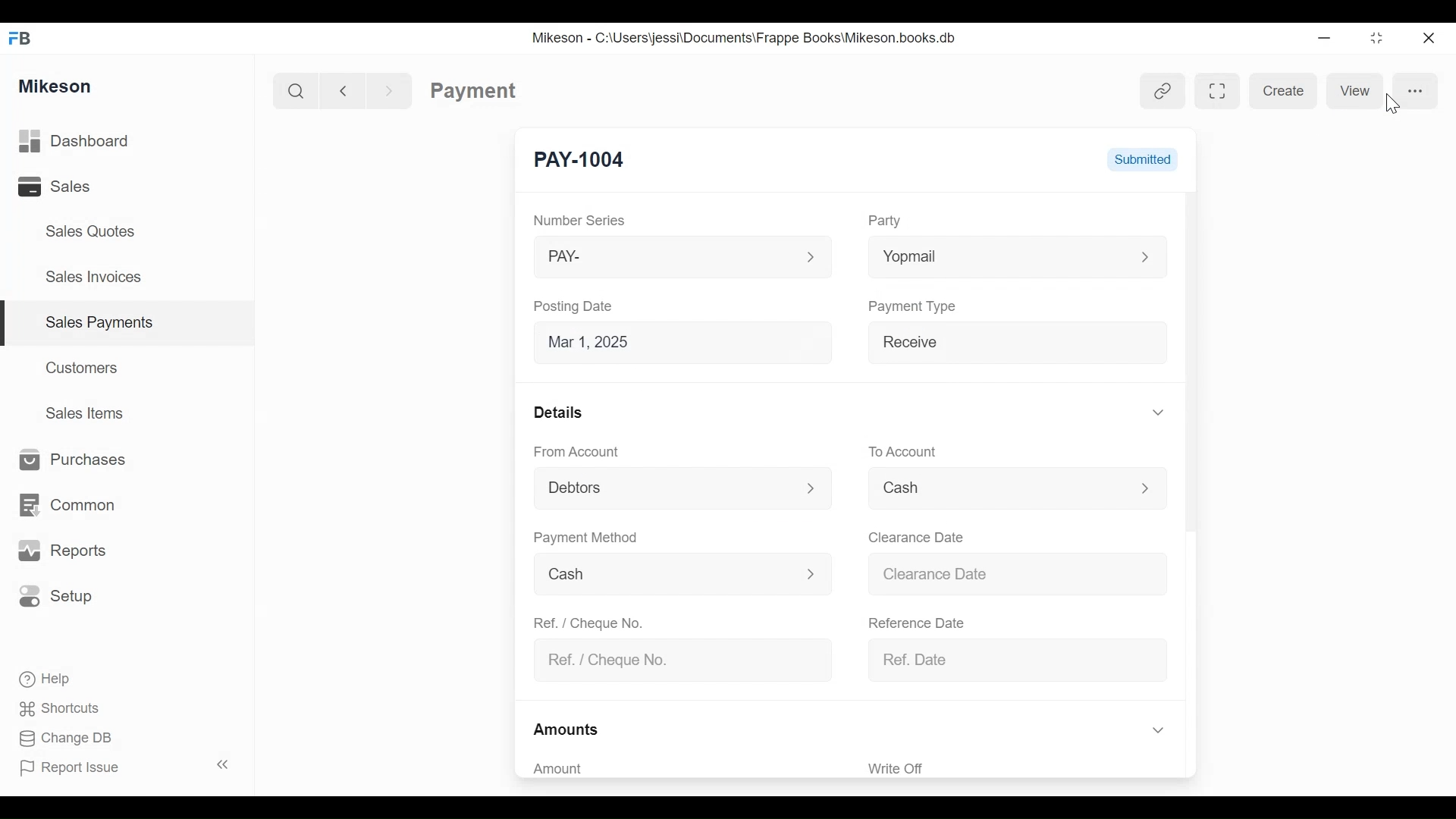 The image size is (1456, 819). I want to click on To account, so click(915, 450).